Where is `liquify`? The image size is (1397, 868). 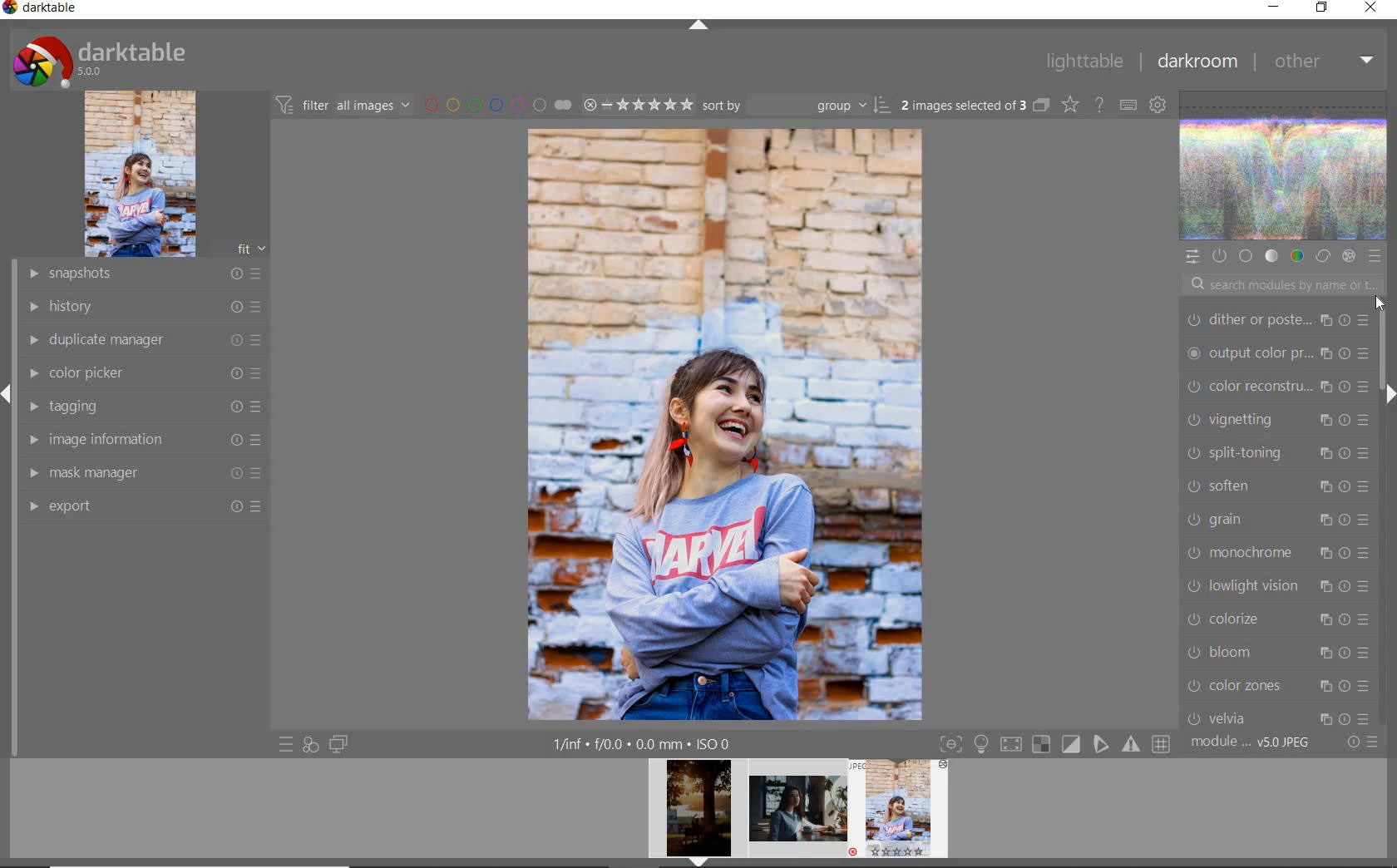
liquify is located at coordinates (1276, 483).